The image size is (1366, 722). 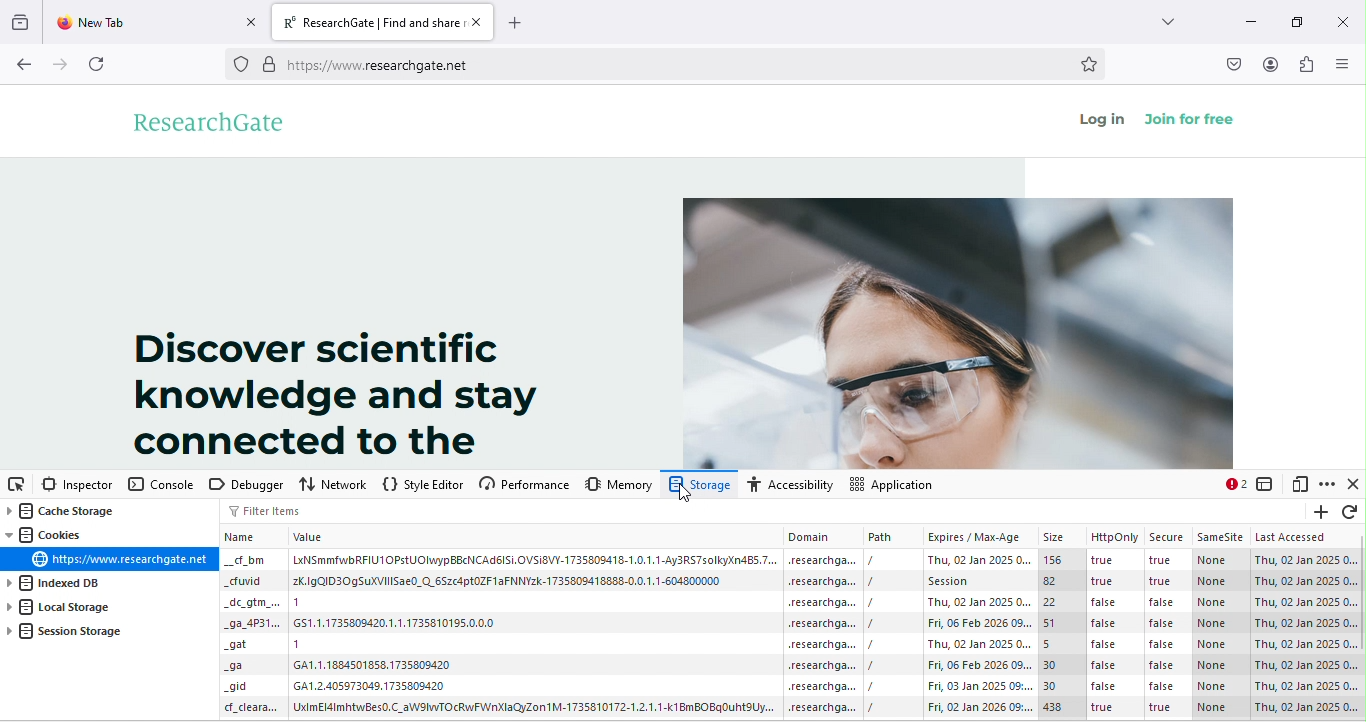 I want to click on value, so click(x=534, y=709).